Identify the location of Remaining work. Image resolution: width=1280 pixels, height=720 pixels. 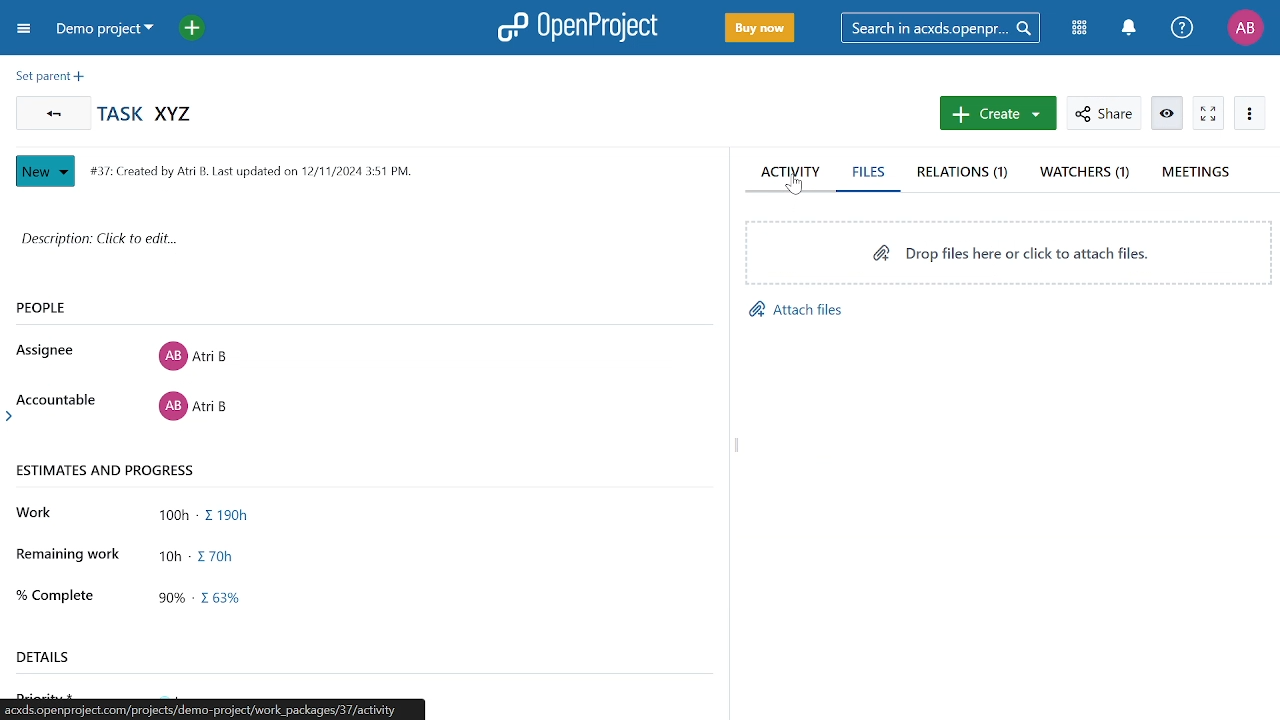
(423, 555).